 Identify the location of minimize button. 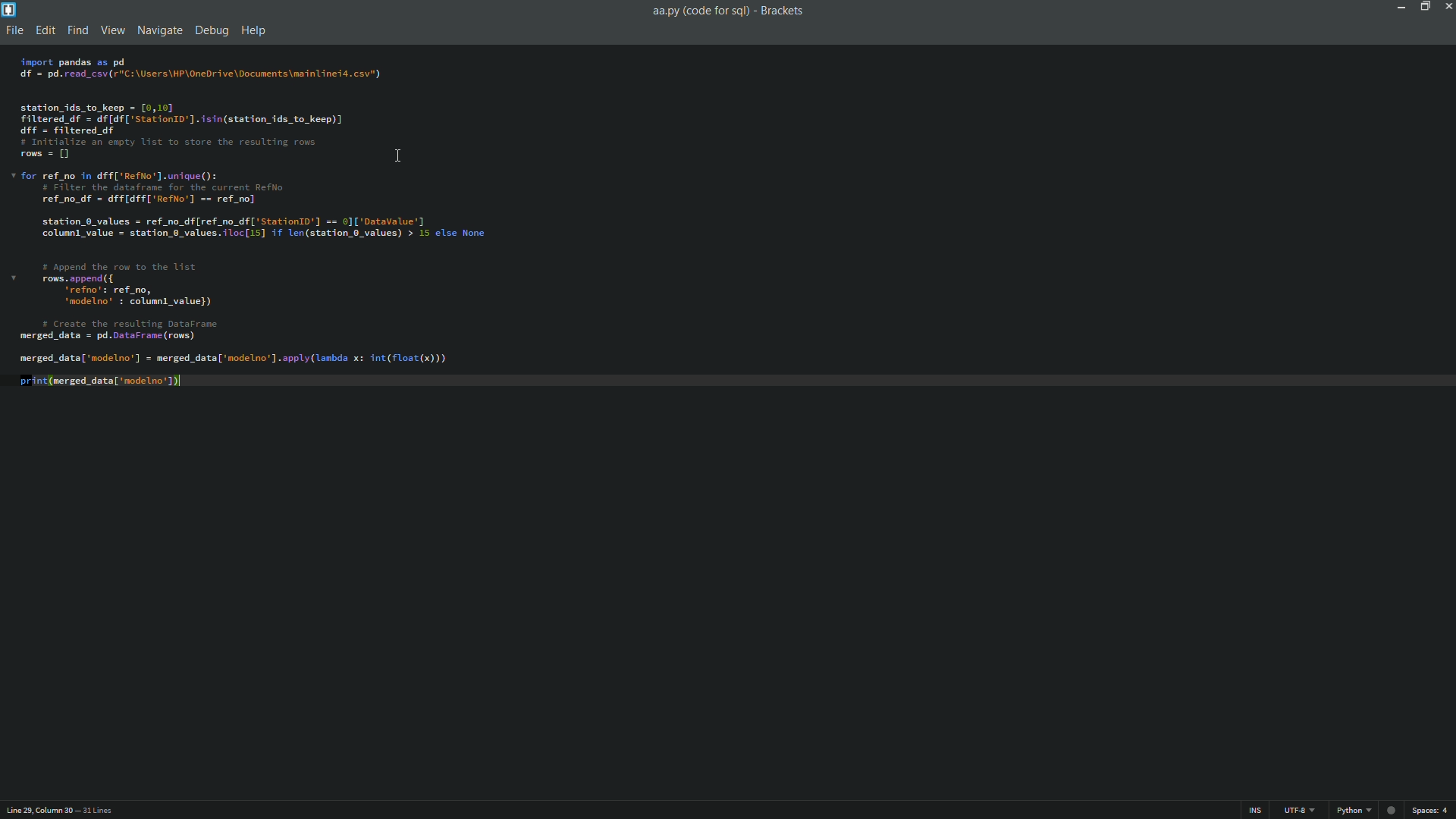
(1398, 7).